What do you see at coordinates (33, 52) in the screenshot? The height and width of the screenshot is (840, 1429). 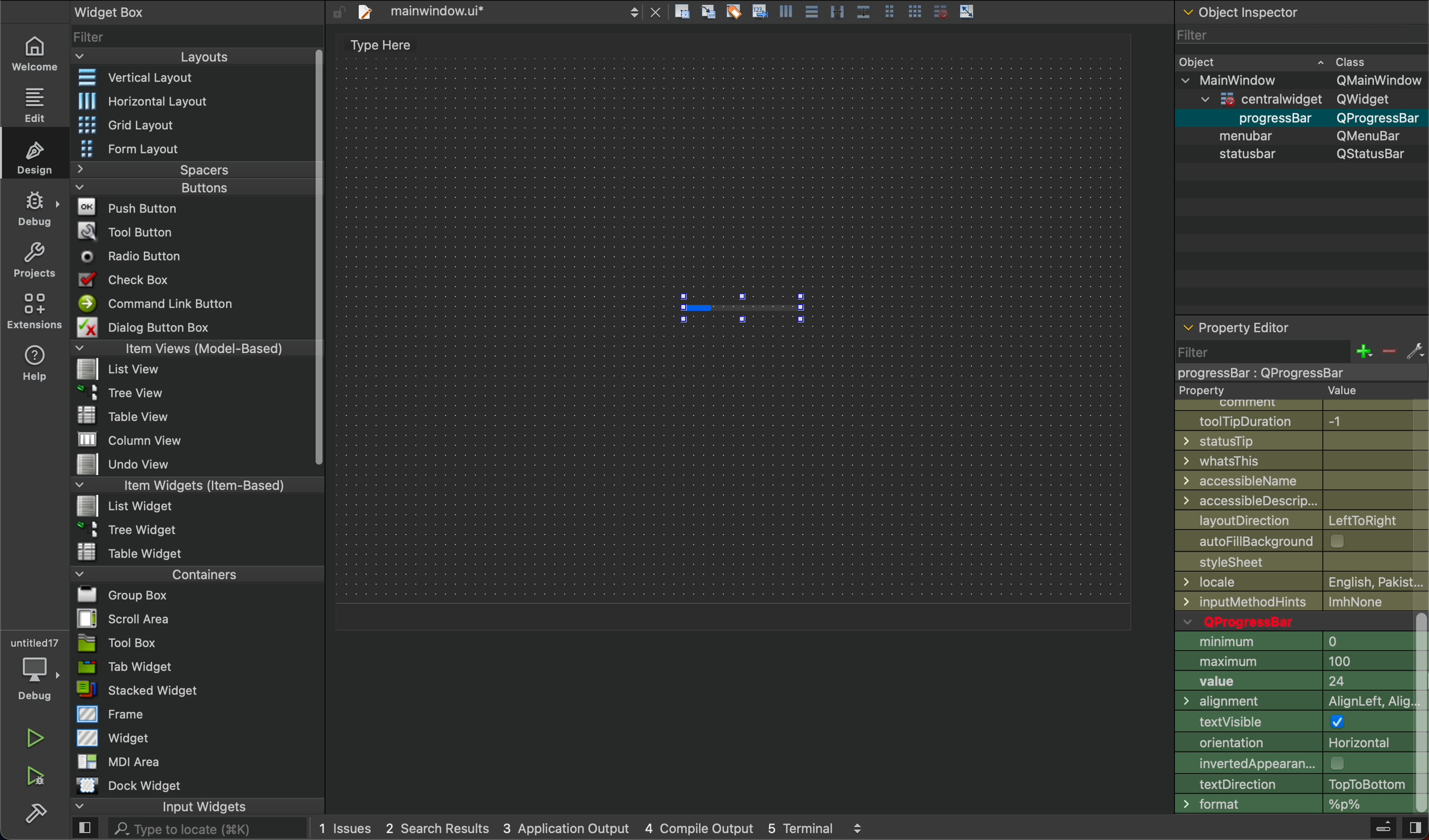 I see `welcome` at bounding box center [33, 52].